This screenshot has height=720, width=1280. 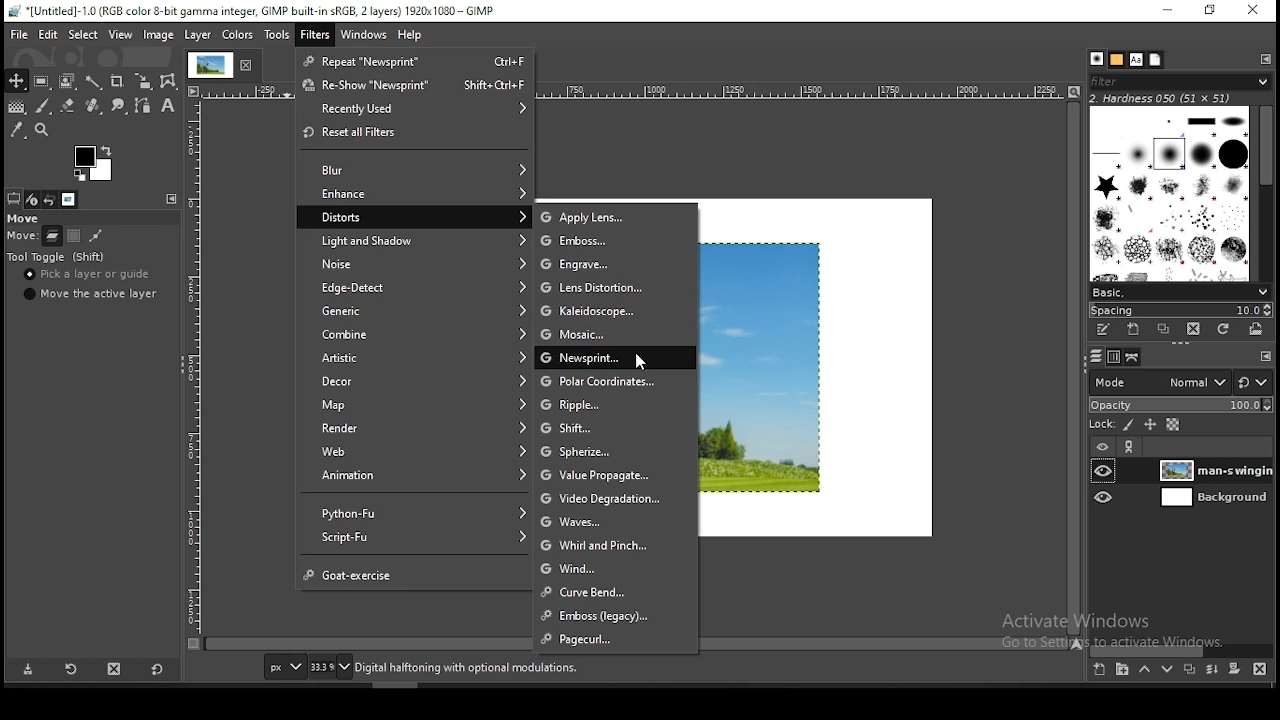 I want to click on spacing, so click(x=1181, y=309).